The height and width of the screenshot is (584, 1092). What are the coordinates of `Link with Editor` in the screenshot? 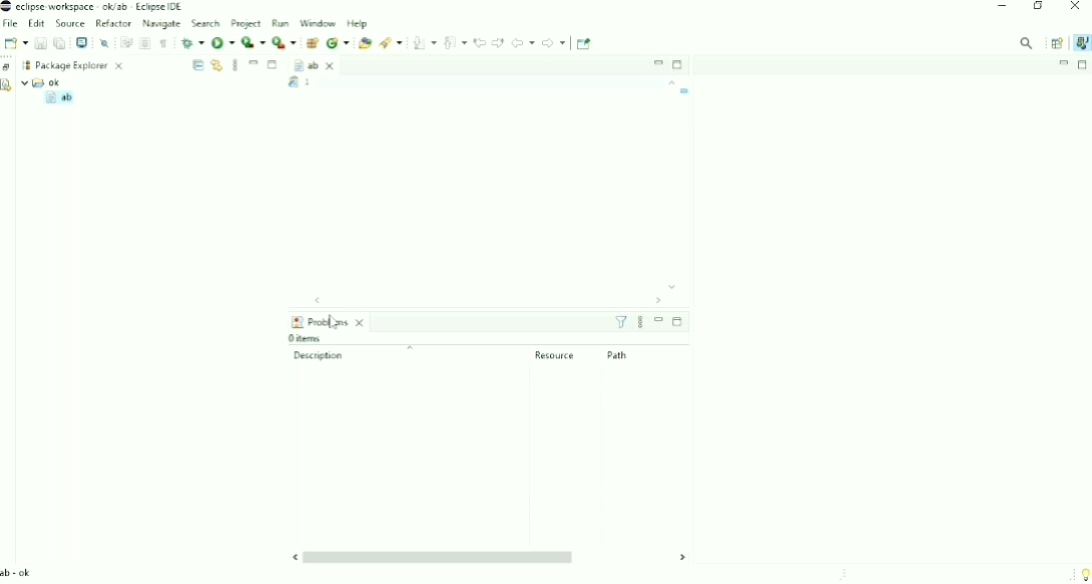 It's located at (216, 65).